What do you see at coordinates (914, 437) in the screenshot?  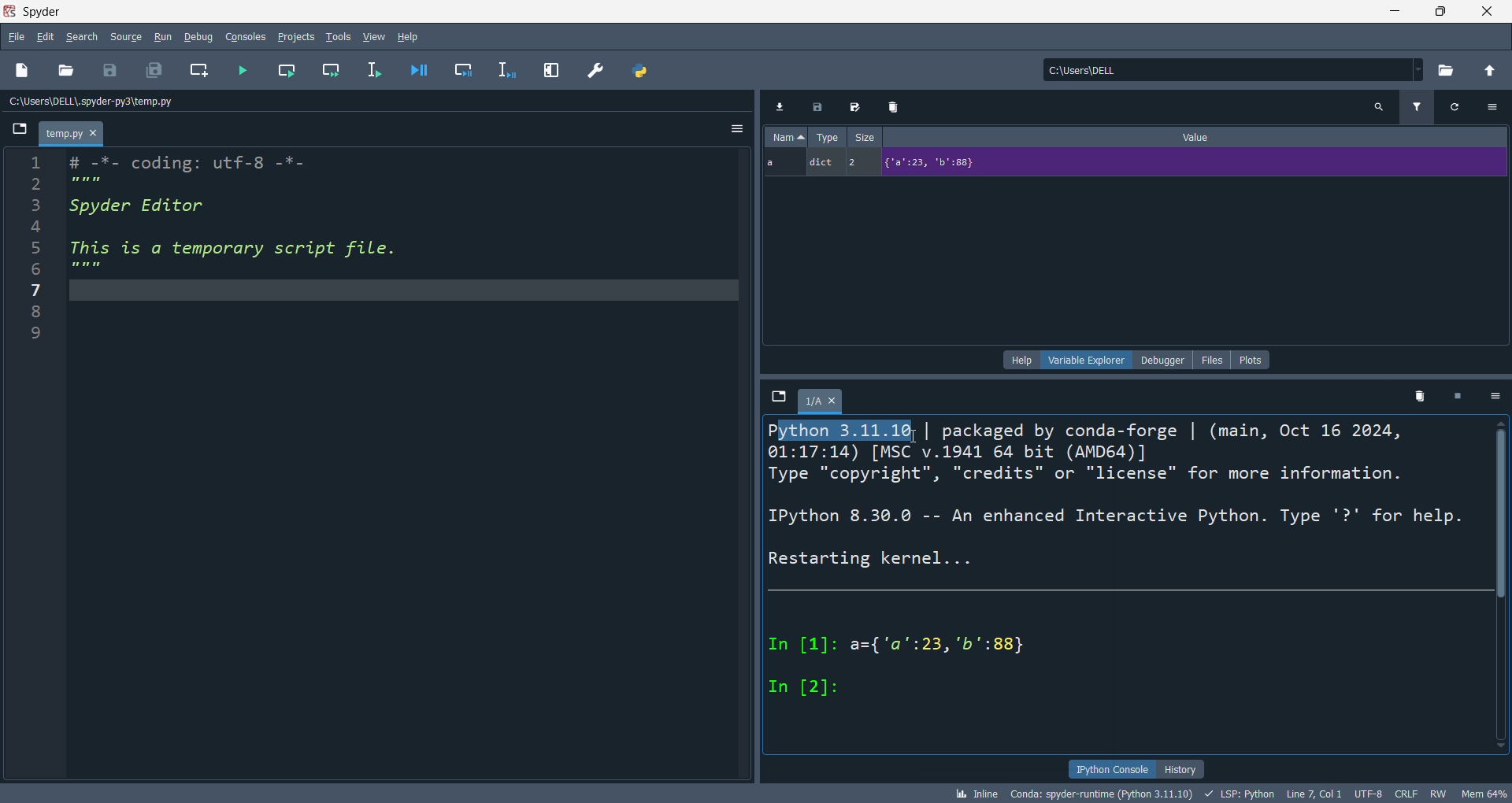 I see `cursor` at bounding box center [914, 437].